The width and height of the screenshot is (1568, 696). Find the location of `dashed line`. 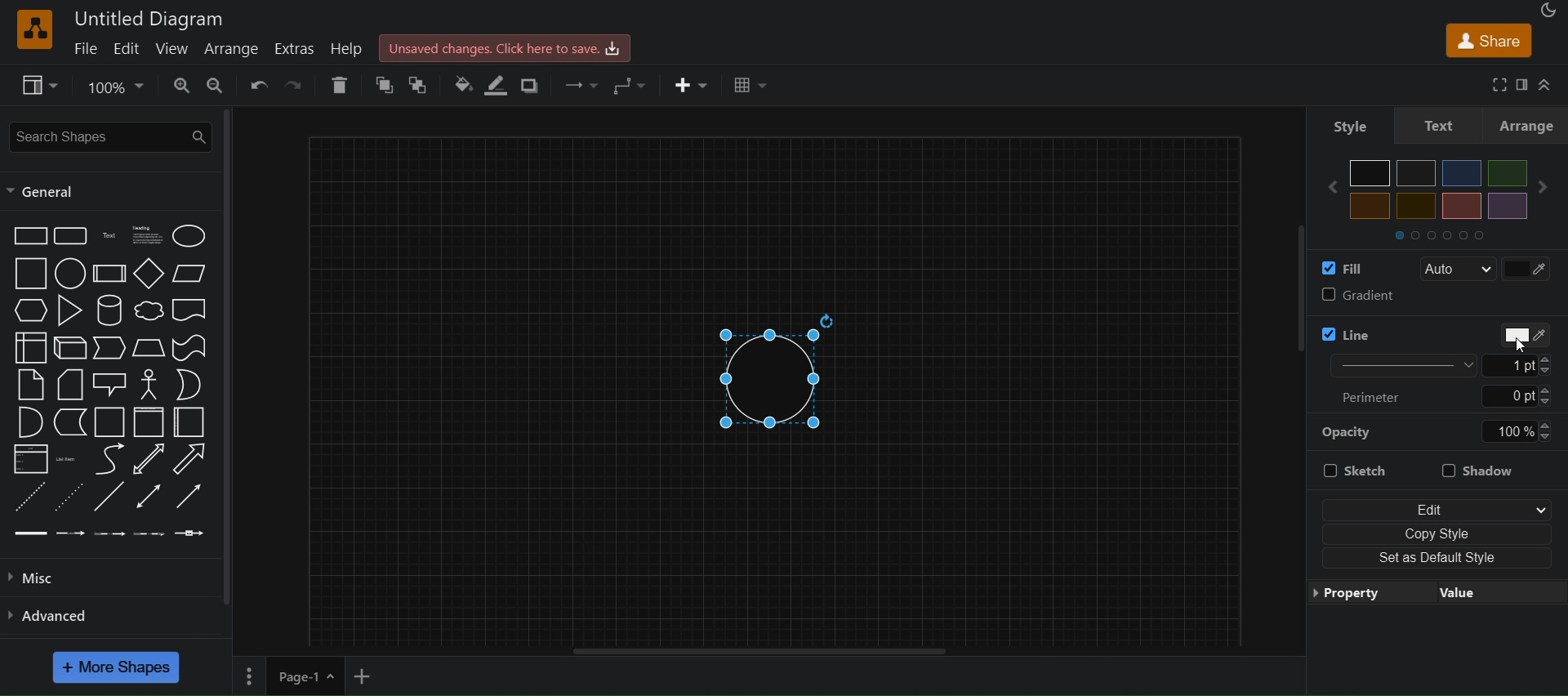

dashed line is located at coordinates (26, 496).